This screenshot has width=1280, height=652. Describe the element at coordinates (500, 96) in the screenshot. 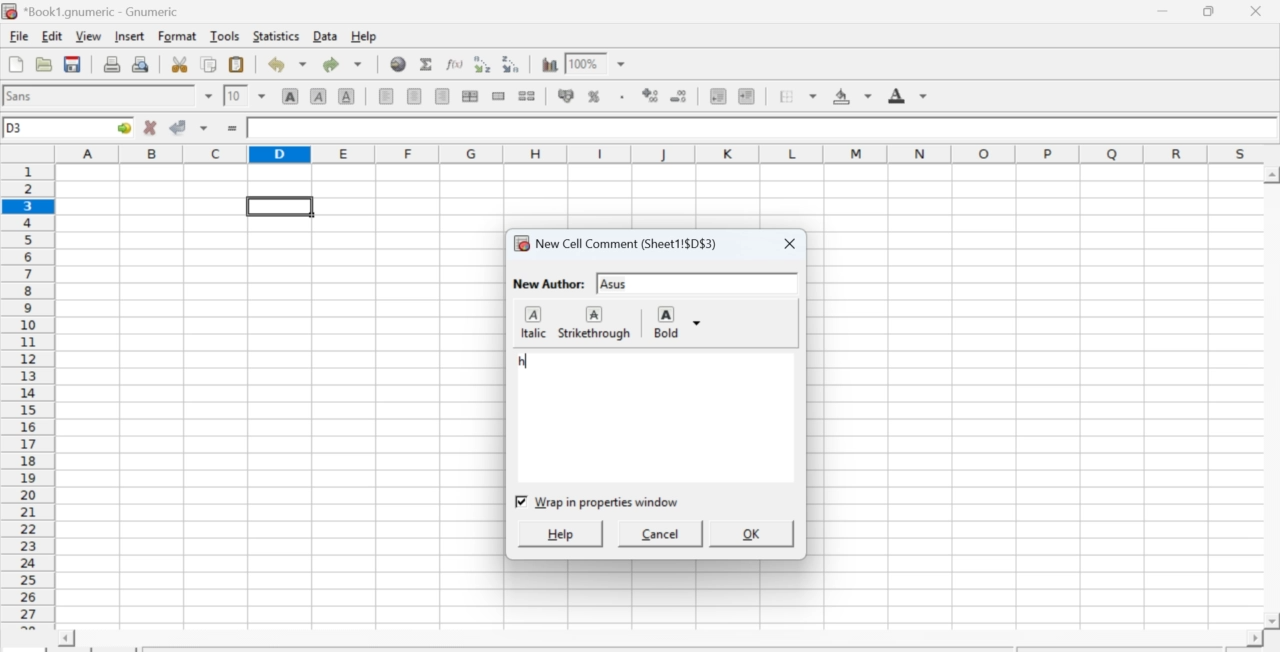

I see `Merge cells` at that location.